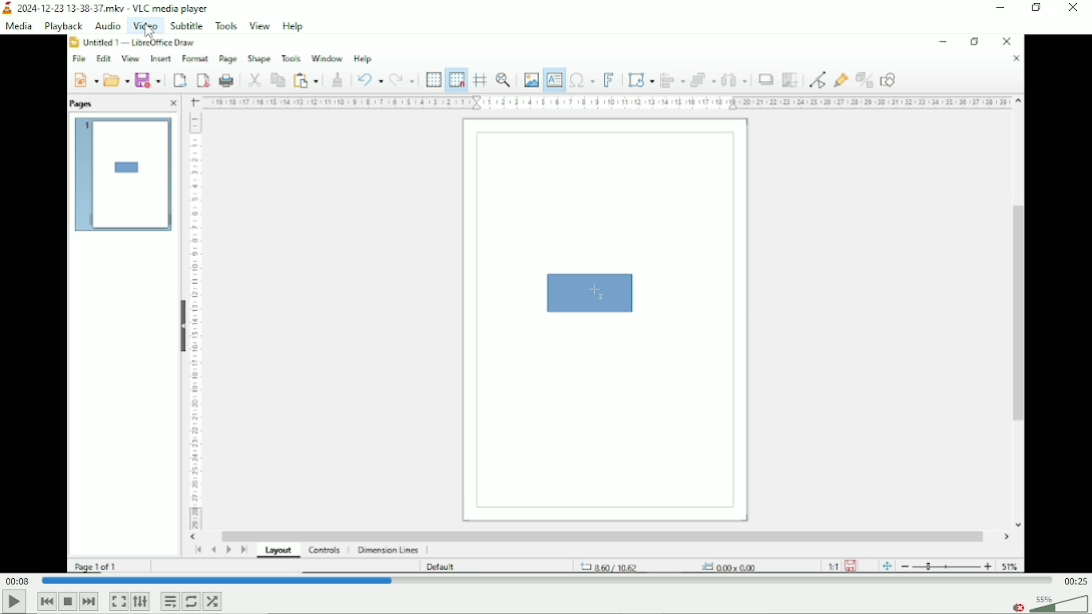  What do you see at coordinates (89, 602) in the screenshot?
I see `Next` at bounding box center [89, 602].